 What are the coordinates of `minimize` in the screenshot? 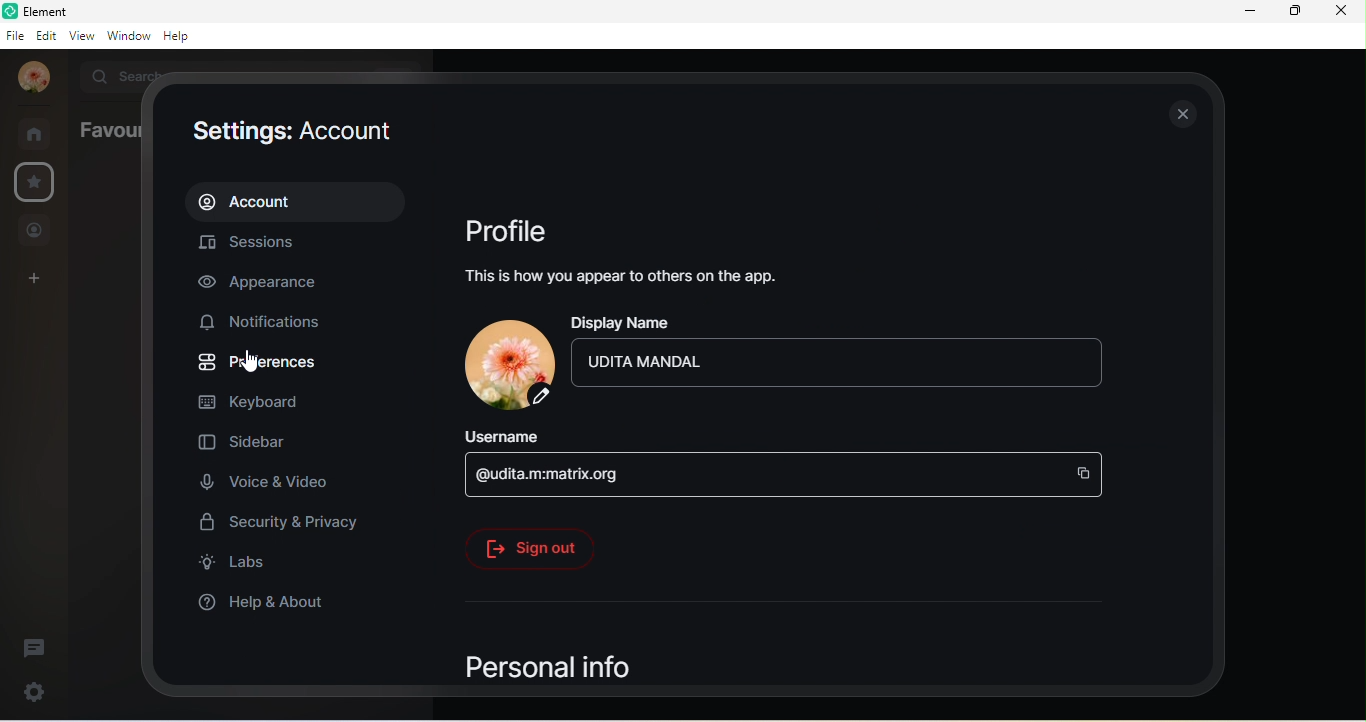 It's located at (1255, 12).